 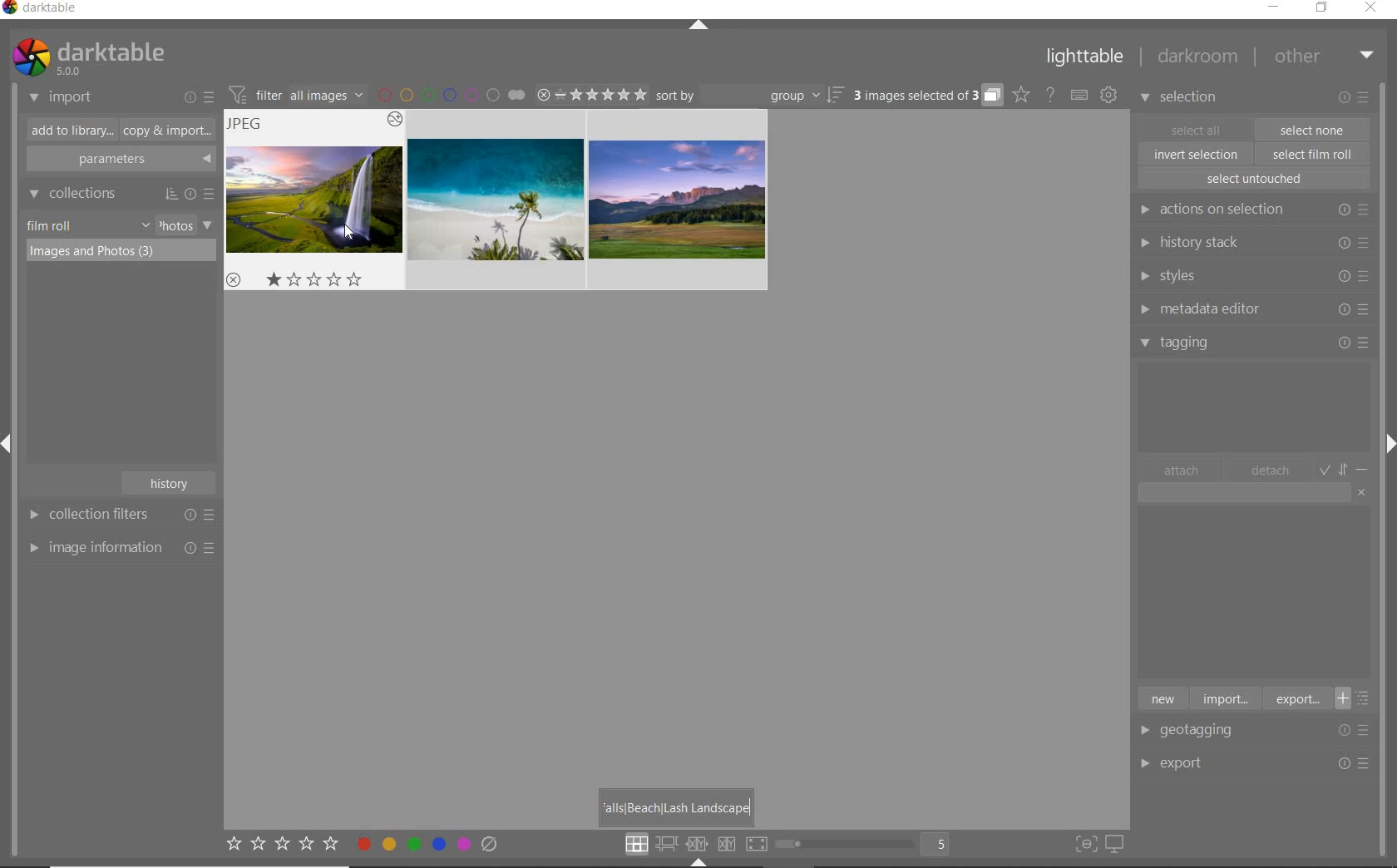 What do you see at coordinates (67, 131) in the screenshot?
I see `add to library` at bounding box center [67, 131].